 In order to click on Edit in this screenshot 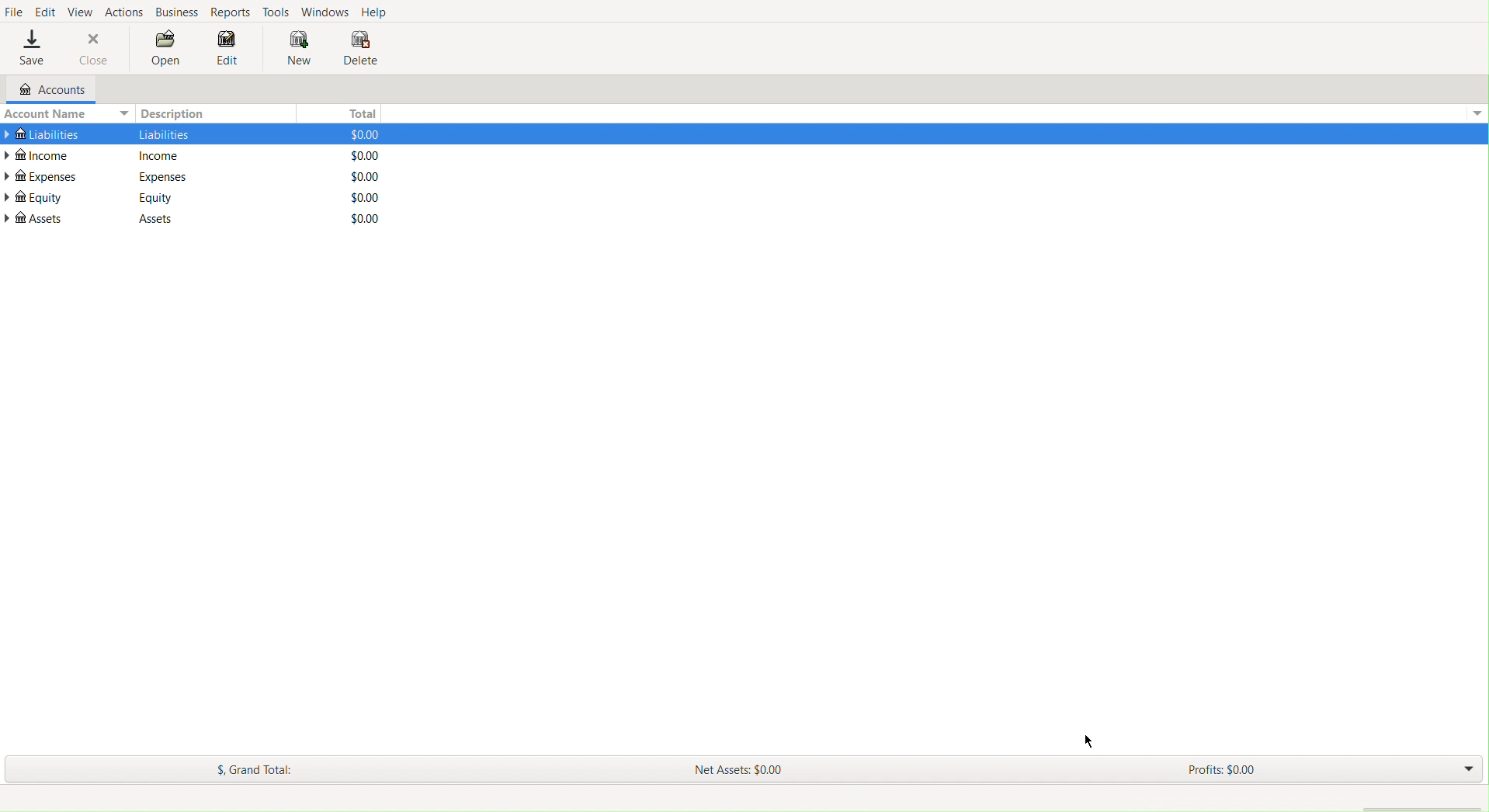, I will do `click(45, 10)`.